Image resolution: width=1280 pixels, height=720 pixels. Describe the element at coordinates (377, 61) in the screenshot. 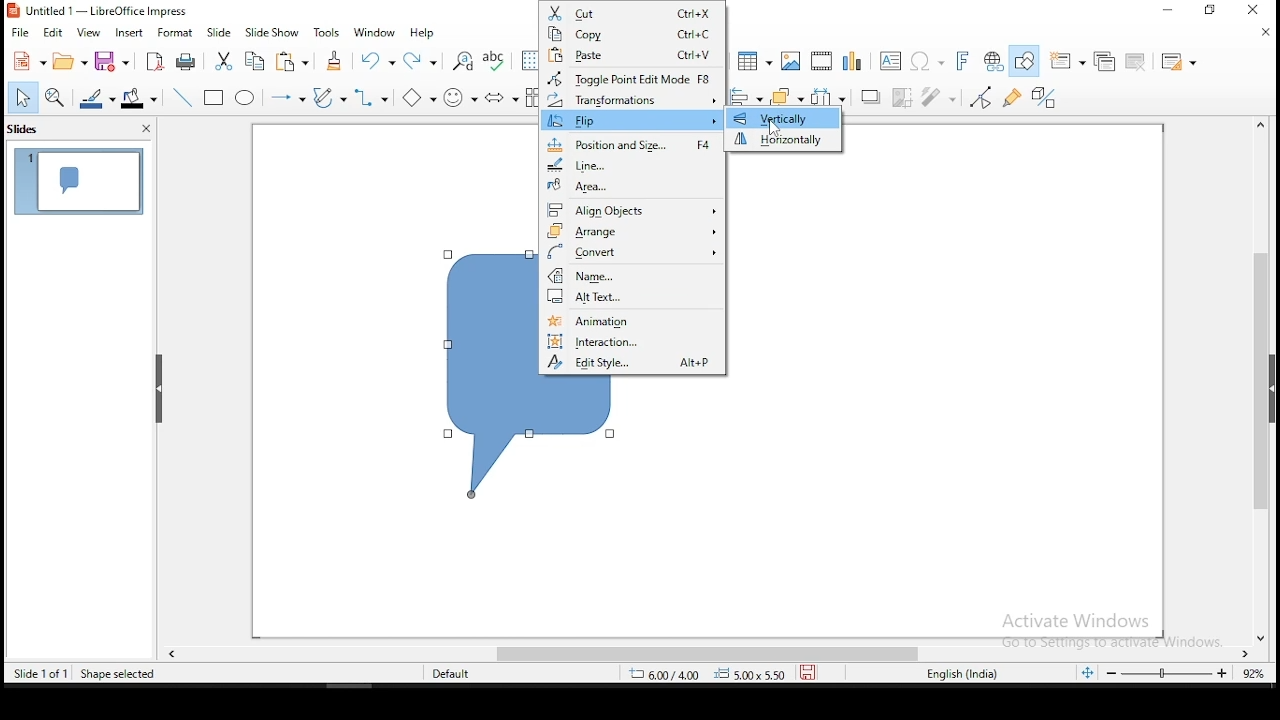

I see `undo` at that location.